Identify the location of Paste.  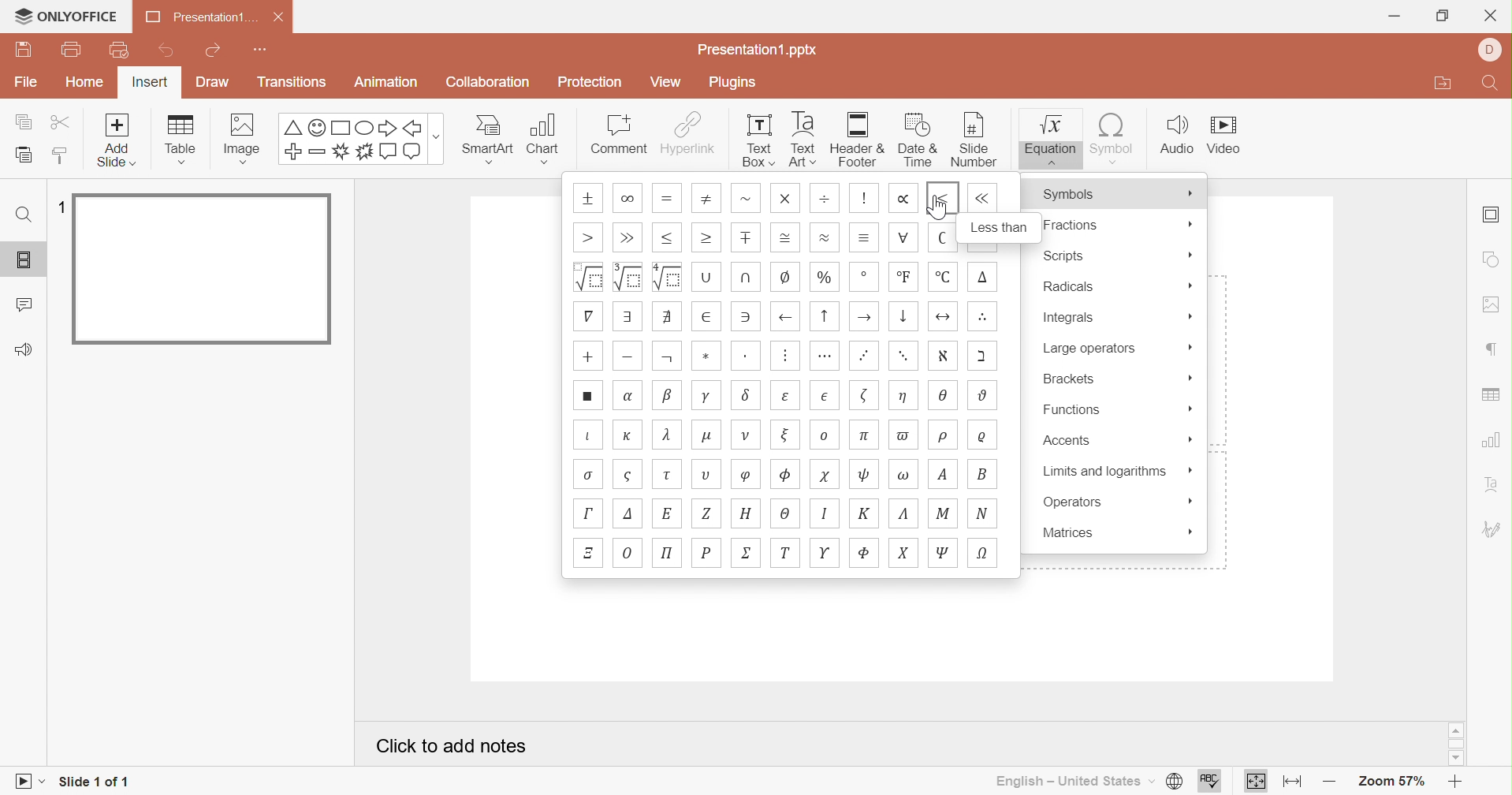
(23, 154).